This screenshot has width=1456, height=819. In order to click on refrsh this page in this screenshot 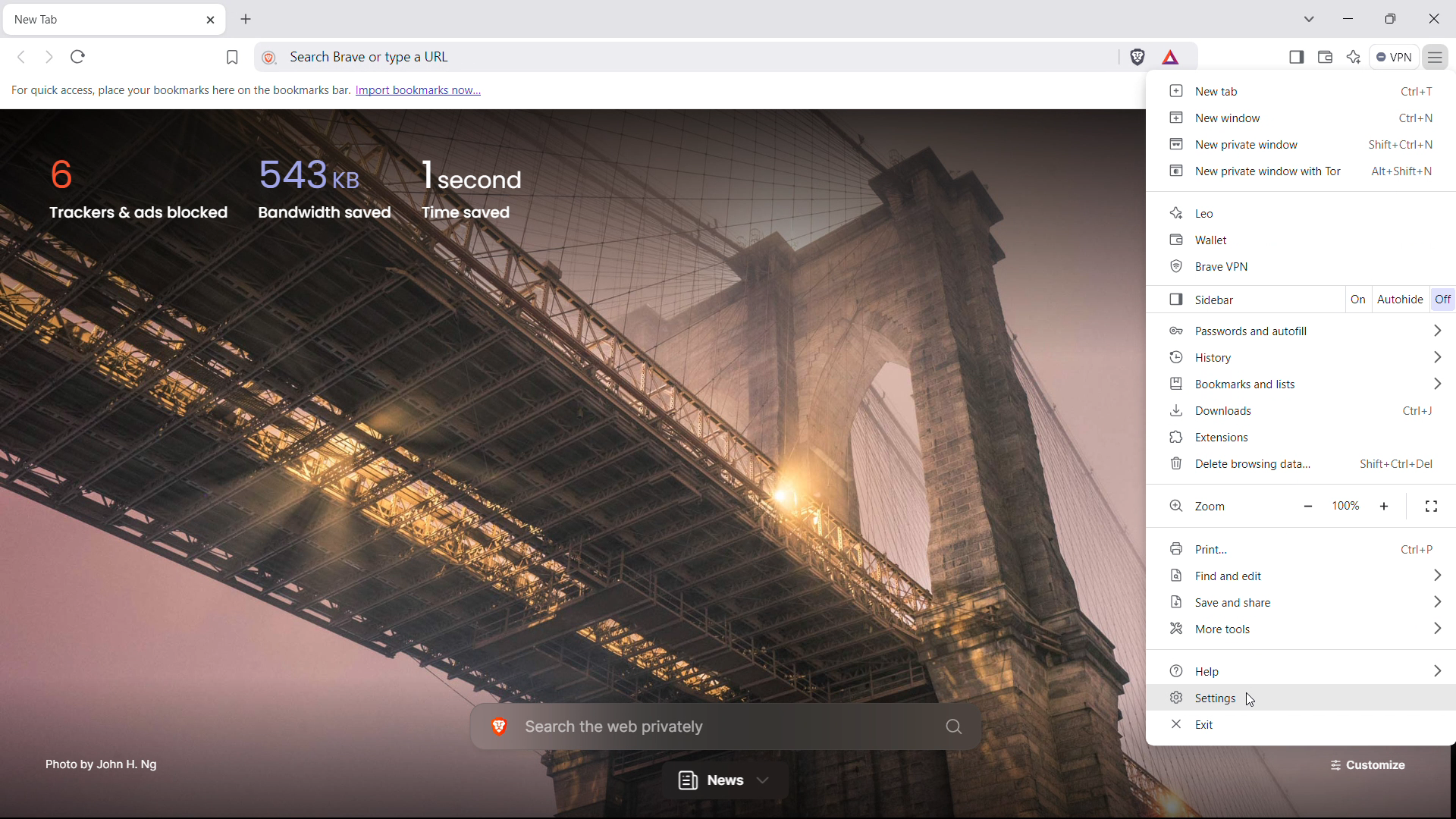, I will do `click(77, 57)`.